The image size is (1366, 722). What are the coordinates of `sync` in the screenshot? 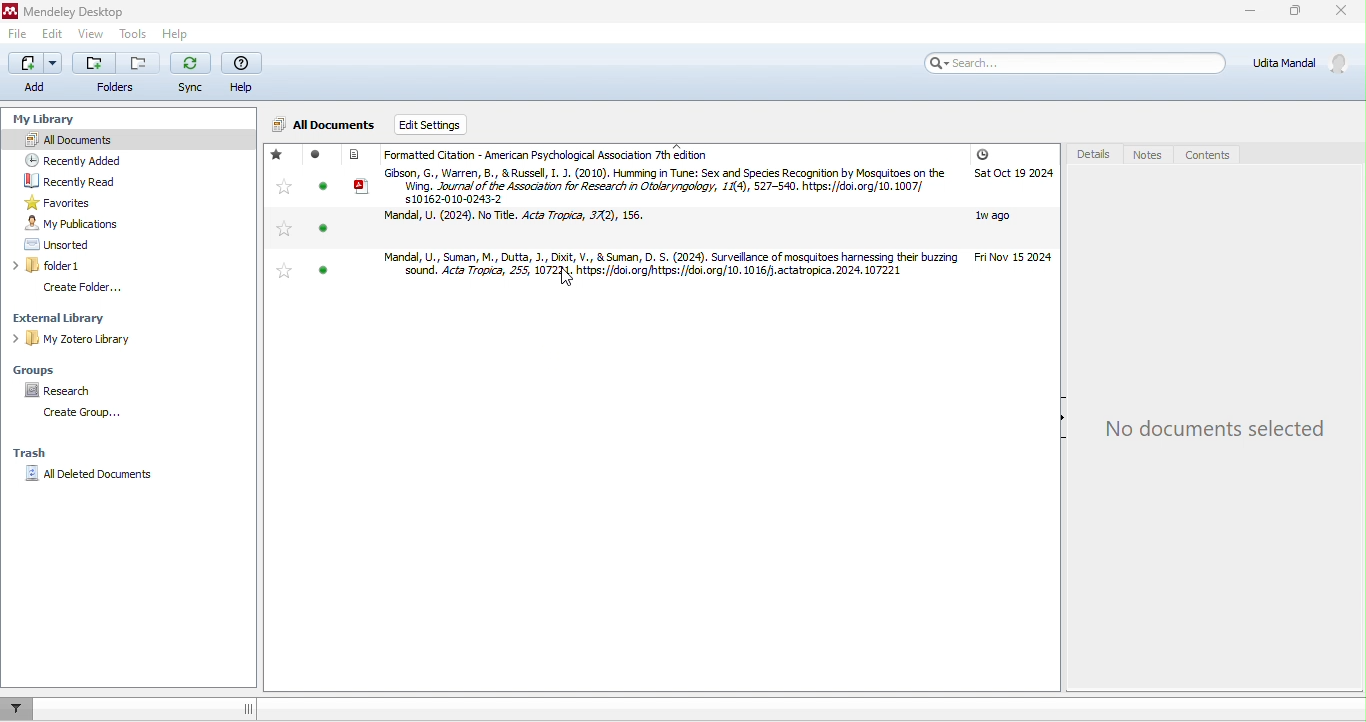 It's located at (191, 75).